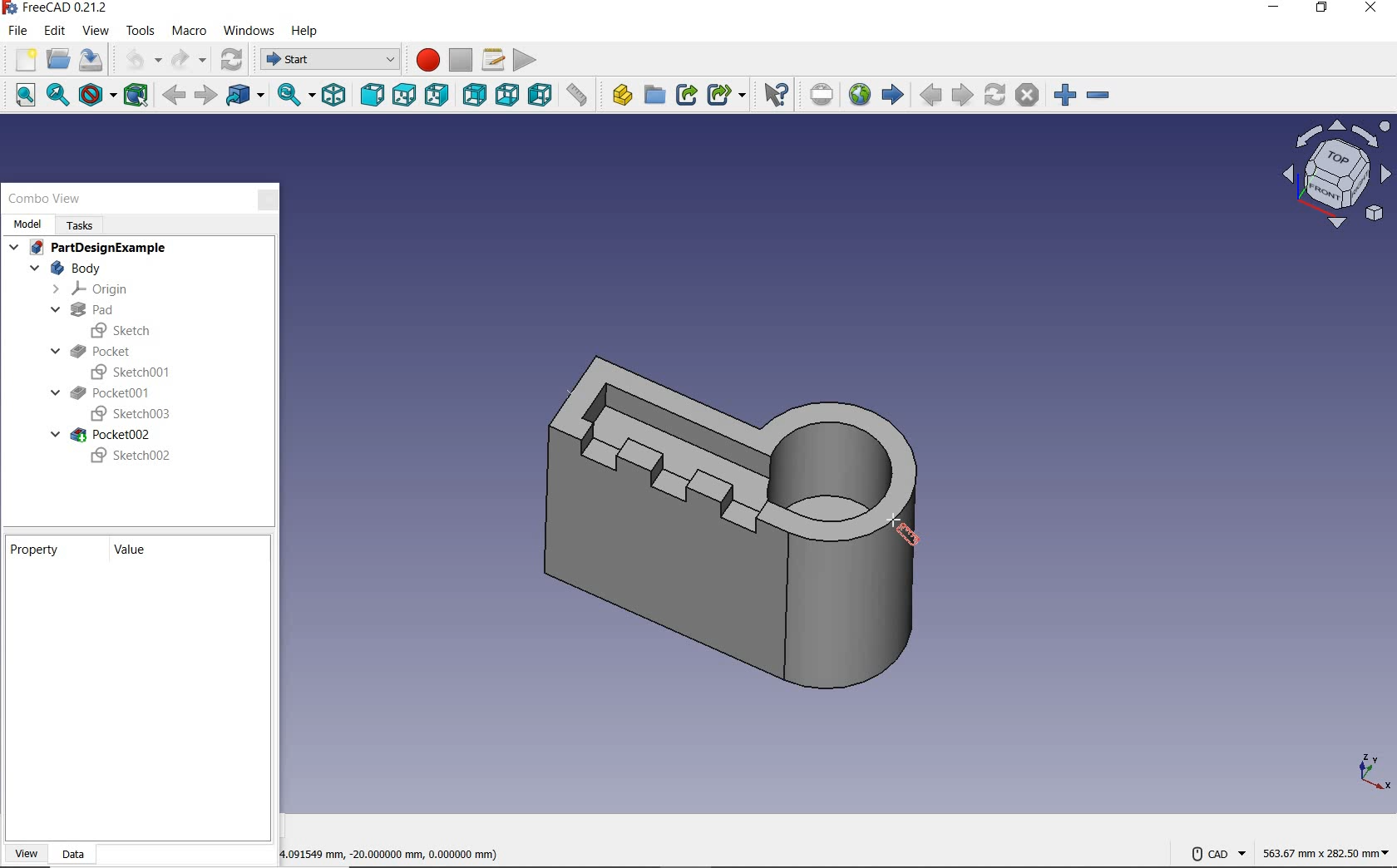 Image resolution: width=1397 pixels, height=868 pixels. Describe the element at coordinates (93, 351) in the screenshot. I see `POCKET` at that location.